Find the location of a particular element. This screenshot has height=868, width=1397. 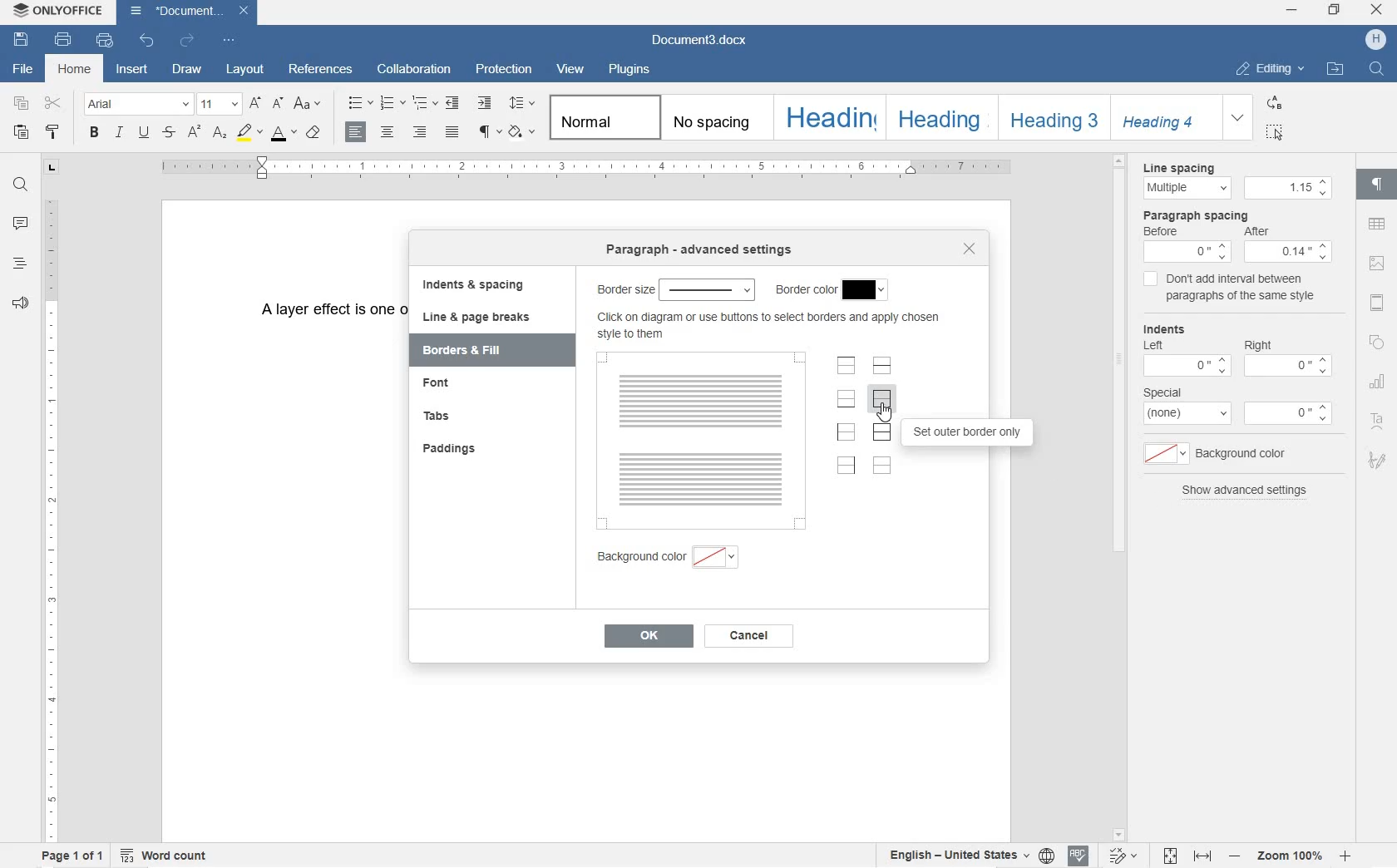

SHAPE is located at coordinates (1377, 341).